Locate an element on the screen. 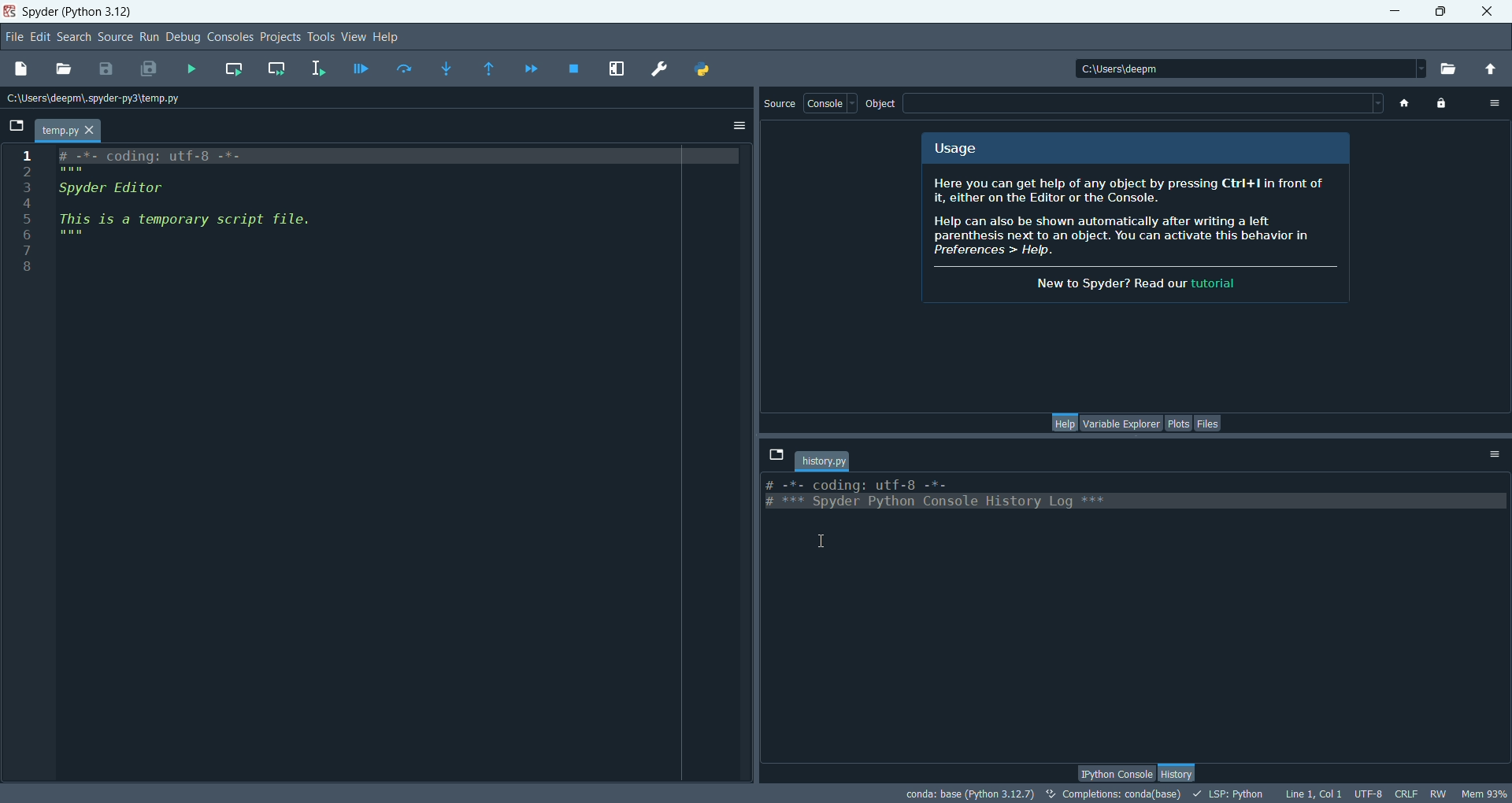  files is located at coordinates (1207, 423).